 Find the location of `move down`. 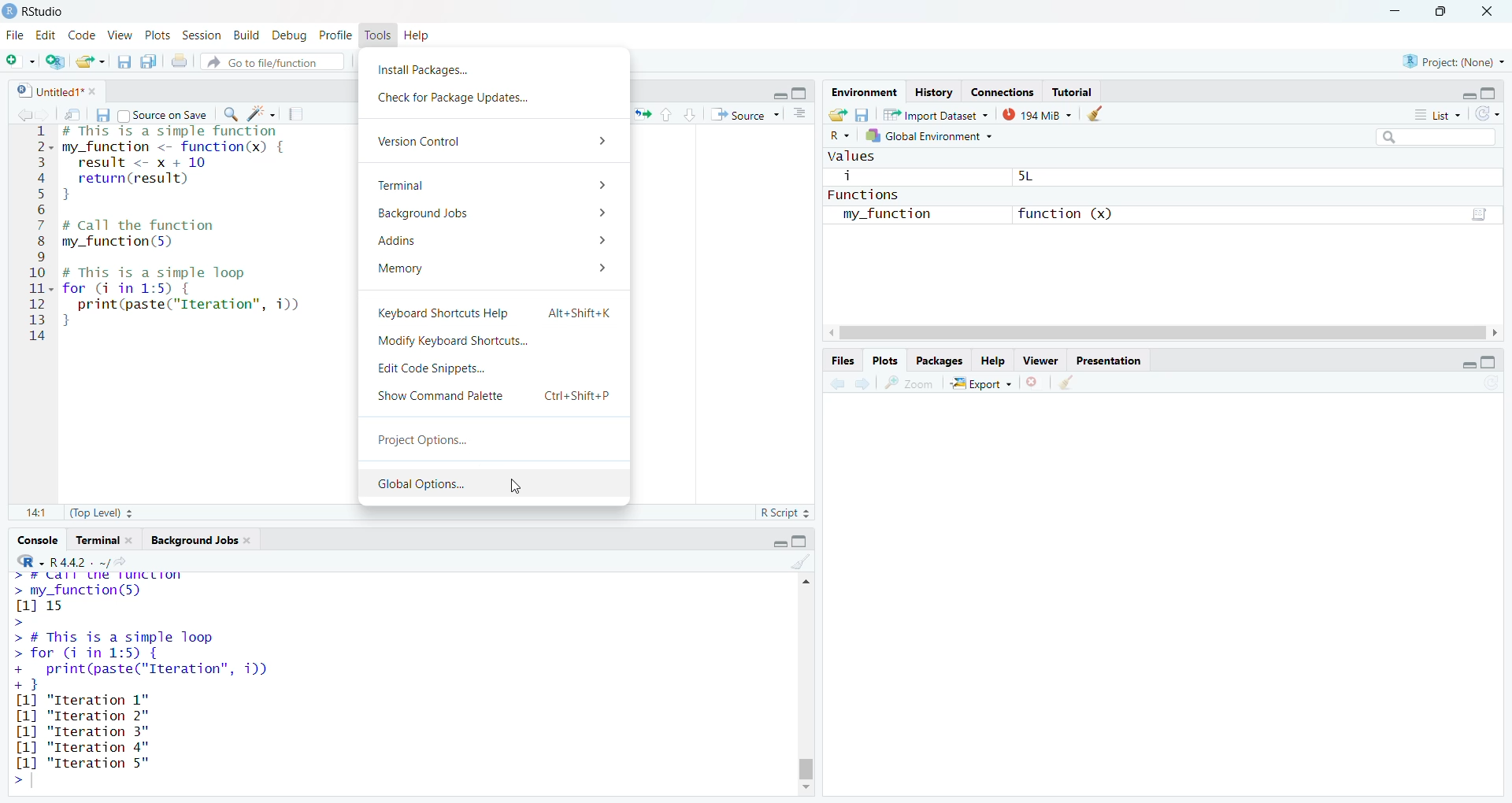

move down is located at coordinates (805, 790).